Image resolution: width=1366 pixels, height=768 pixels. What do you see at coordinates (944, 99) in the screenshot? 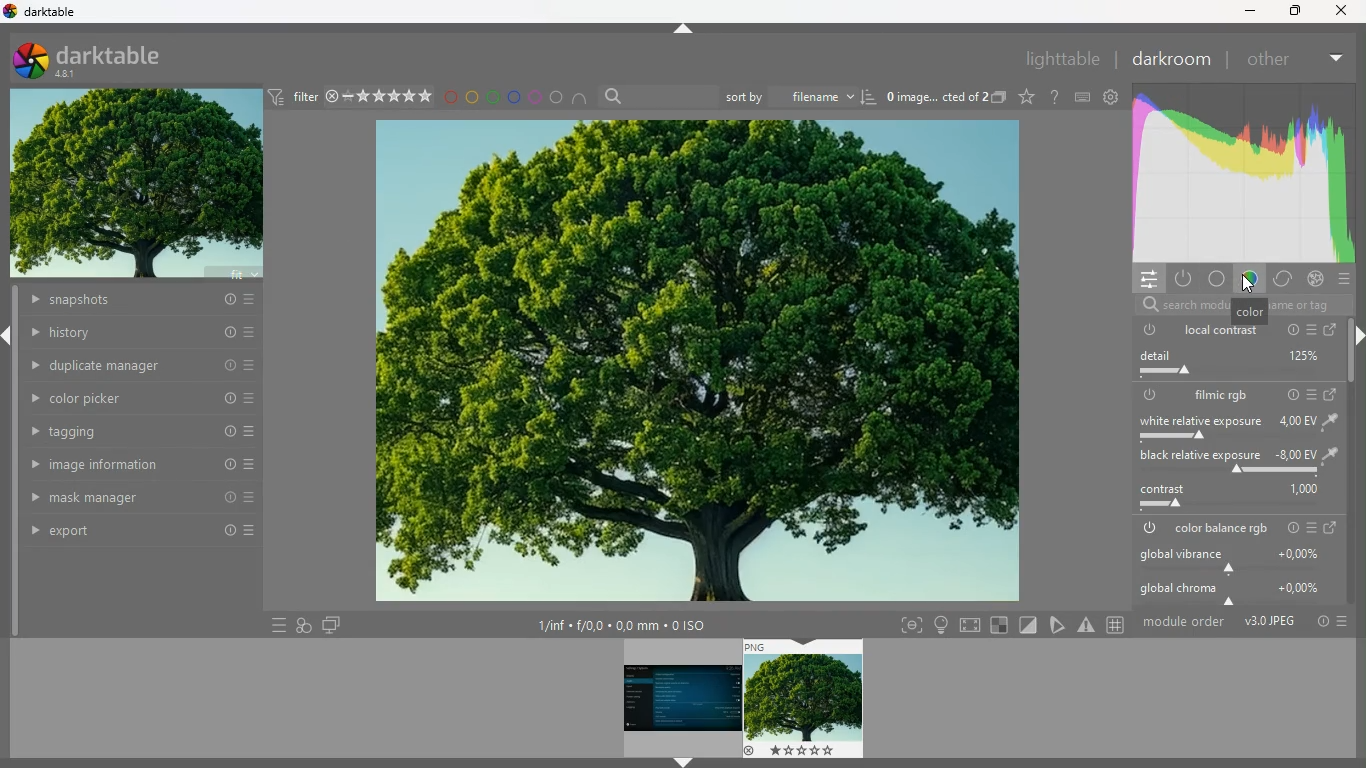
I see `image description` at bounding box center [944, 99].